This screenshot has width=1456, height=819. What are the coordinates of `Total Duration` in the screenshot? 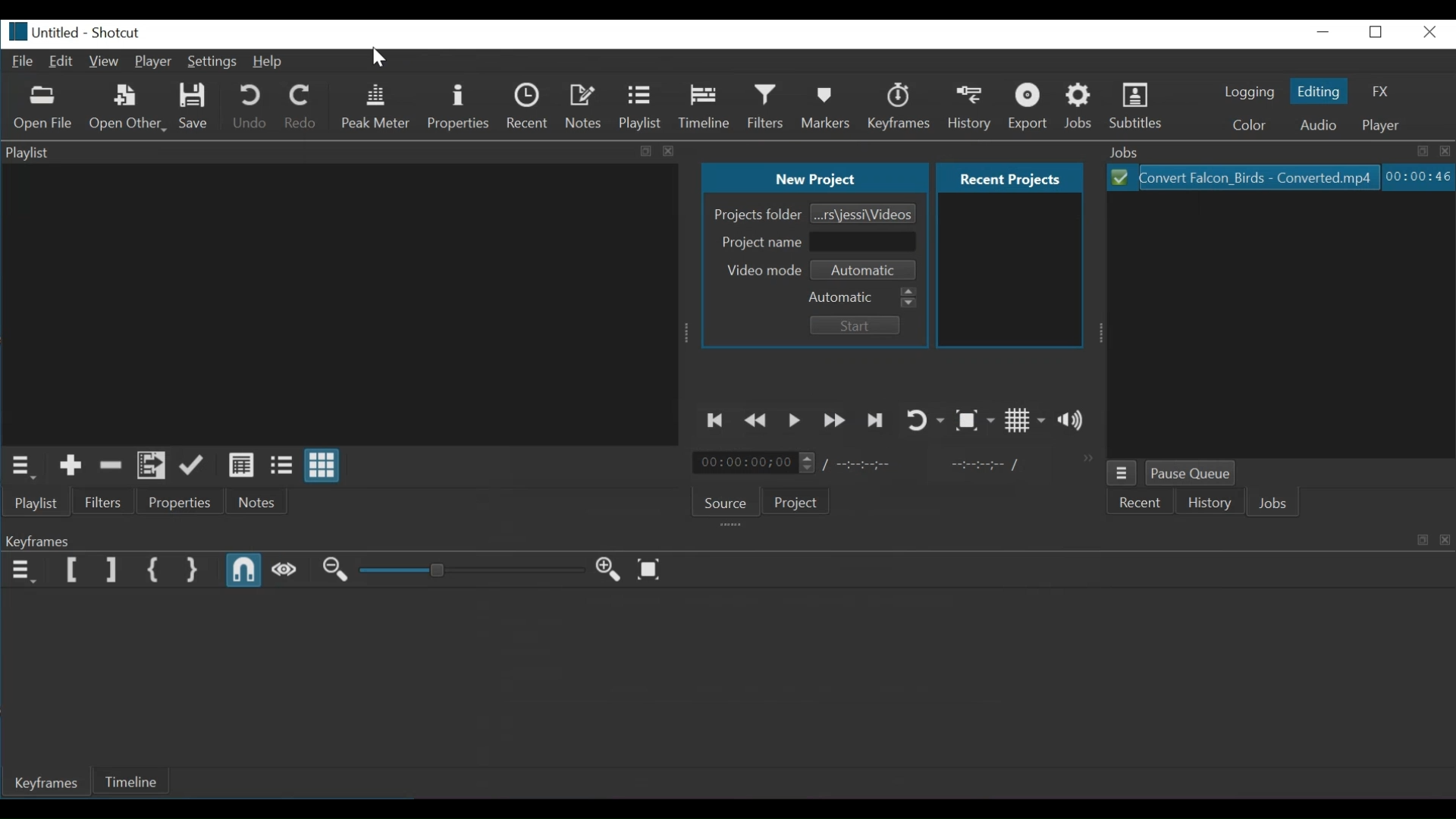 It's located at (861, 462).